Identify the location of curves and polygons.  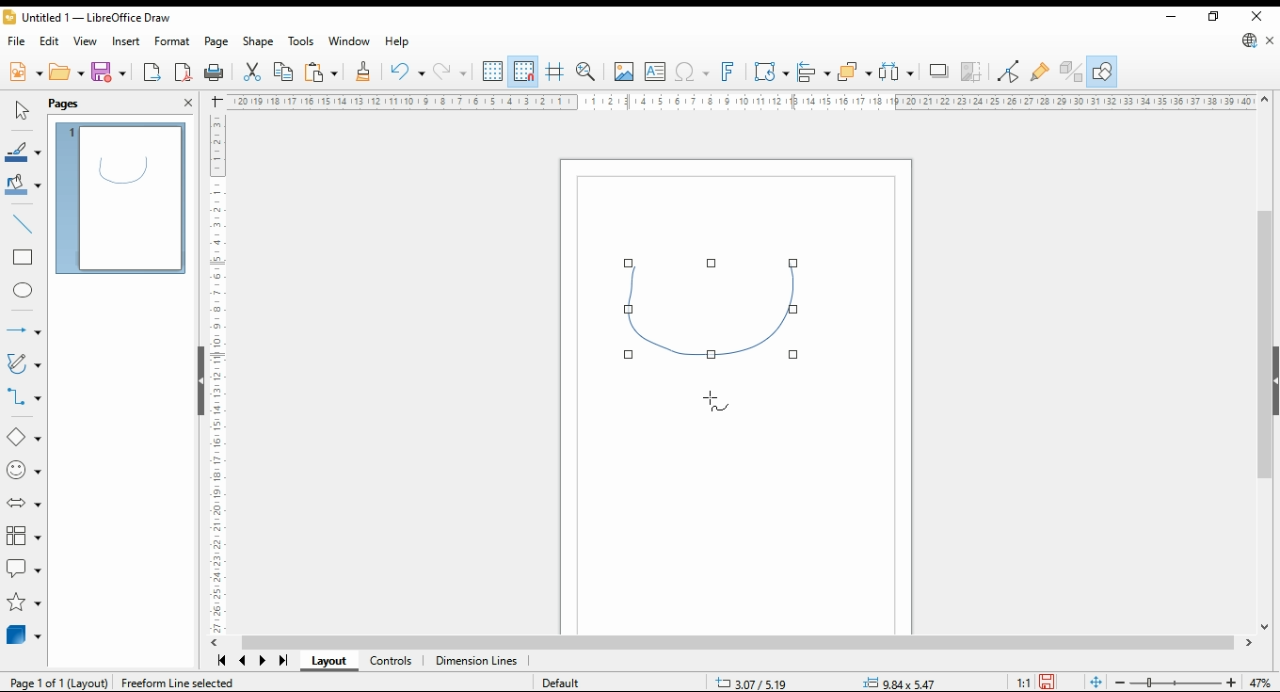
(22, 364).